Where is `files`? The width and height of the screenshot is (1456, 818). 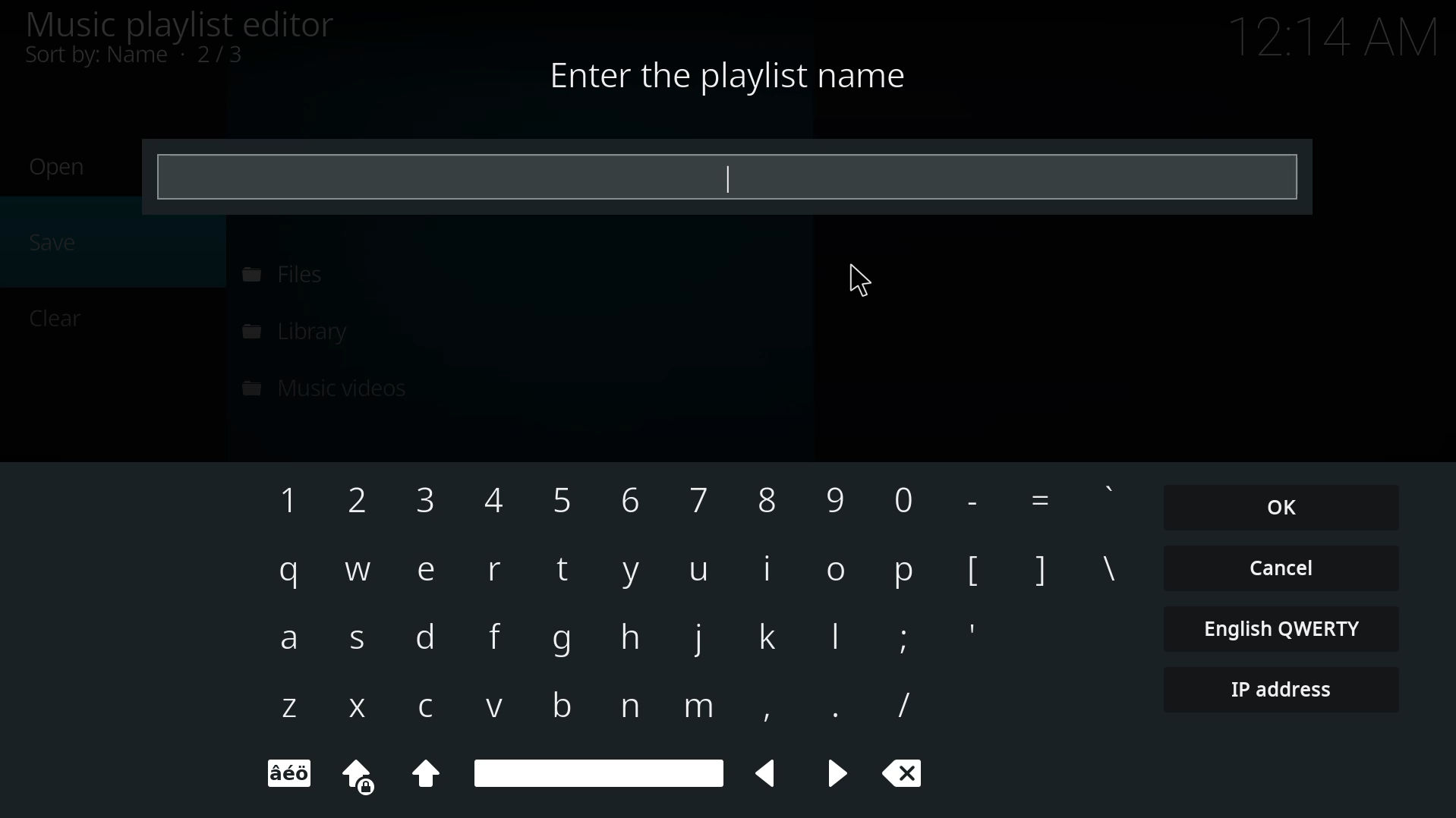
files is located at coordinates (280, 274).